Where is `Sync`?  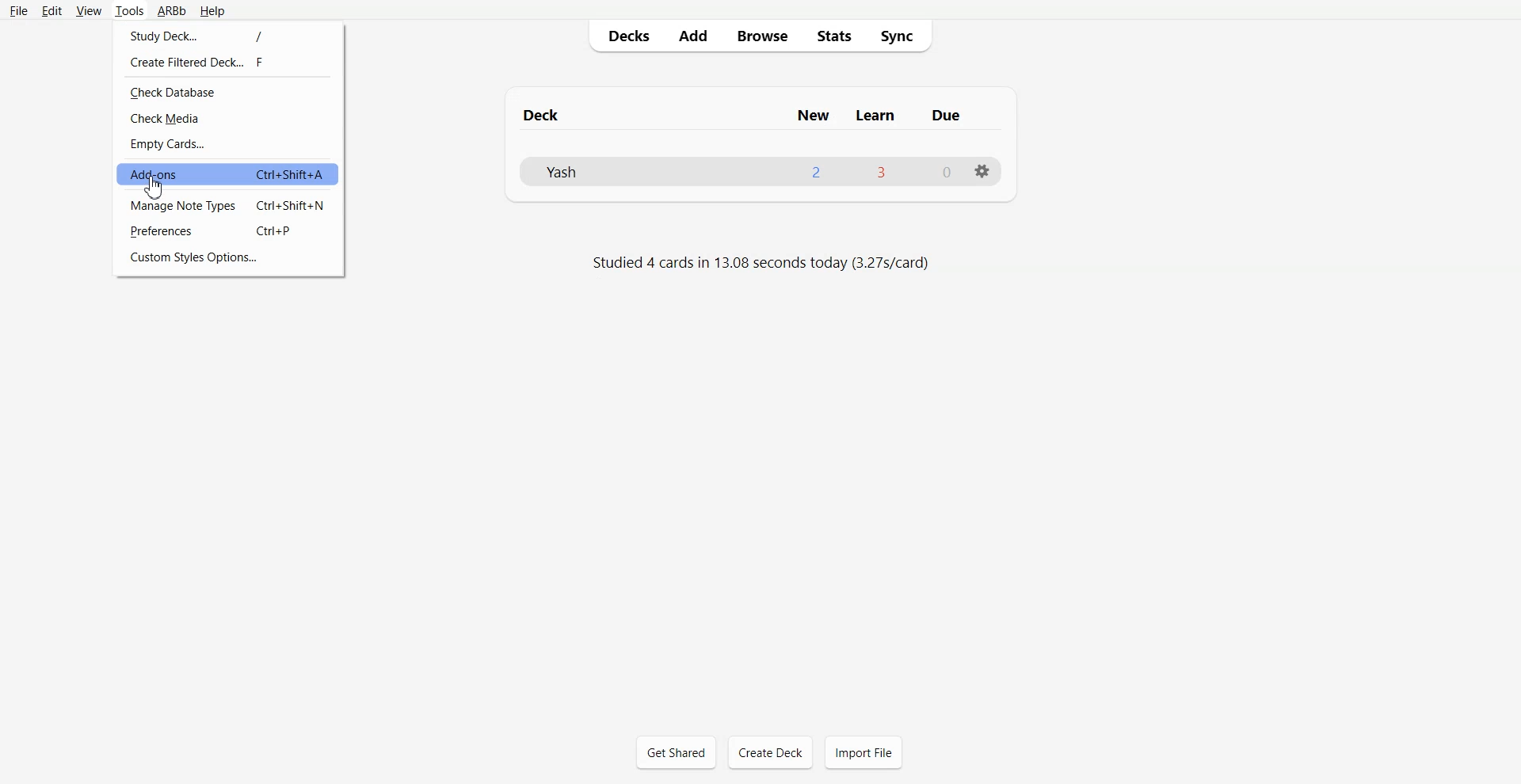
Sync is located at coordinates (904, 36).